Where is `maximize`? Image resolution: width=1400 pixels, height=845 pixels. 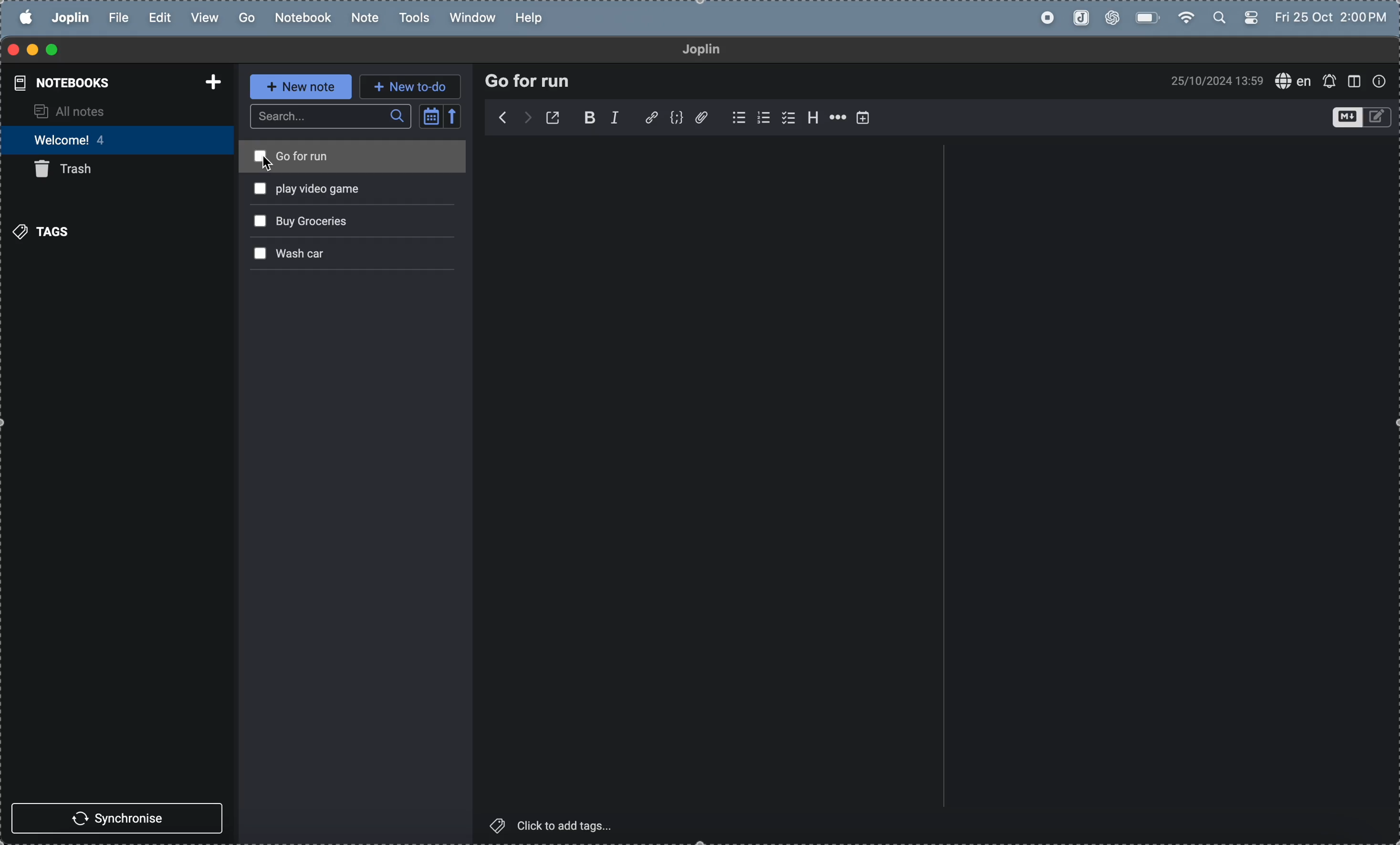 maximize is located at coordinates (53, 49).